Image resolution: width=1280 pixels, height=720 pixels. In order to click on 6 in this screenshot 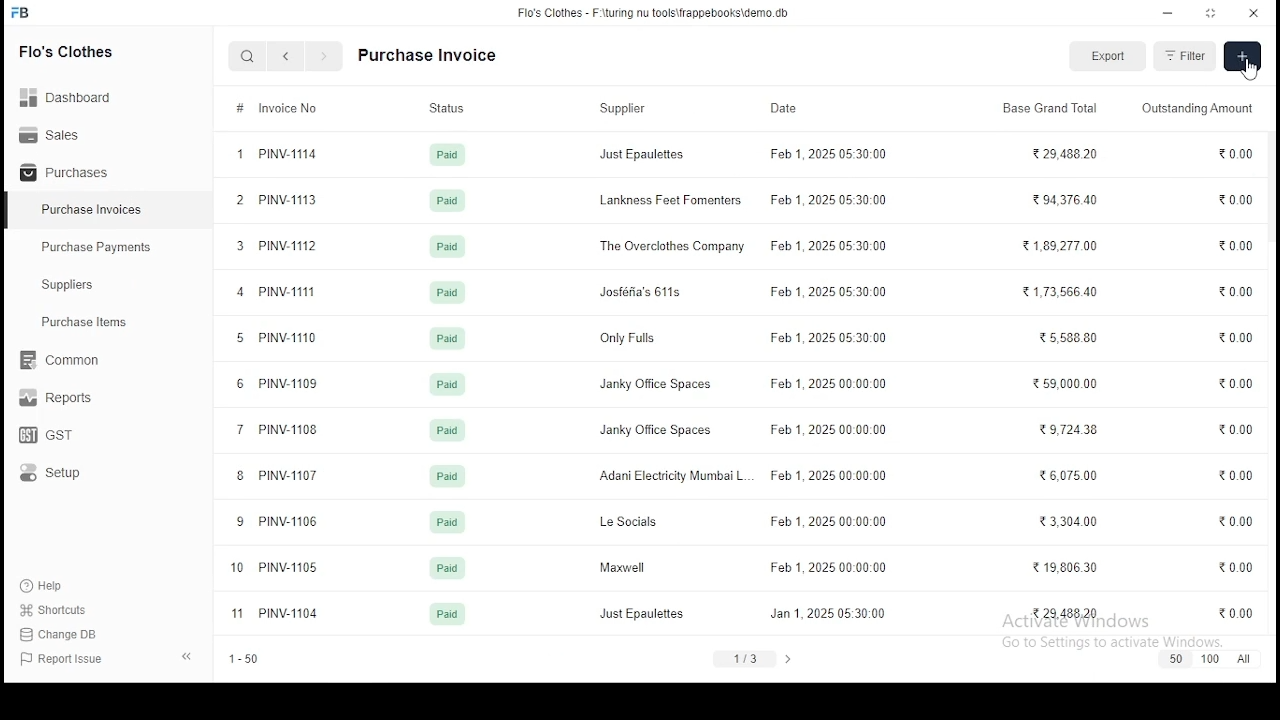, I will do `click(240, 384)`.